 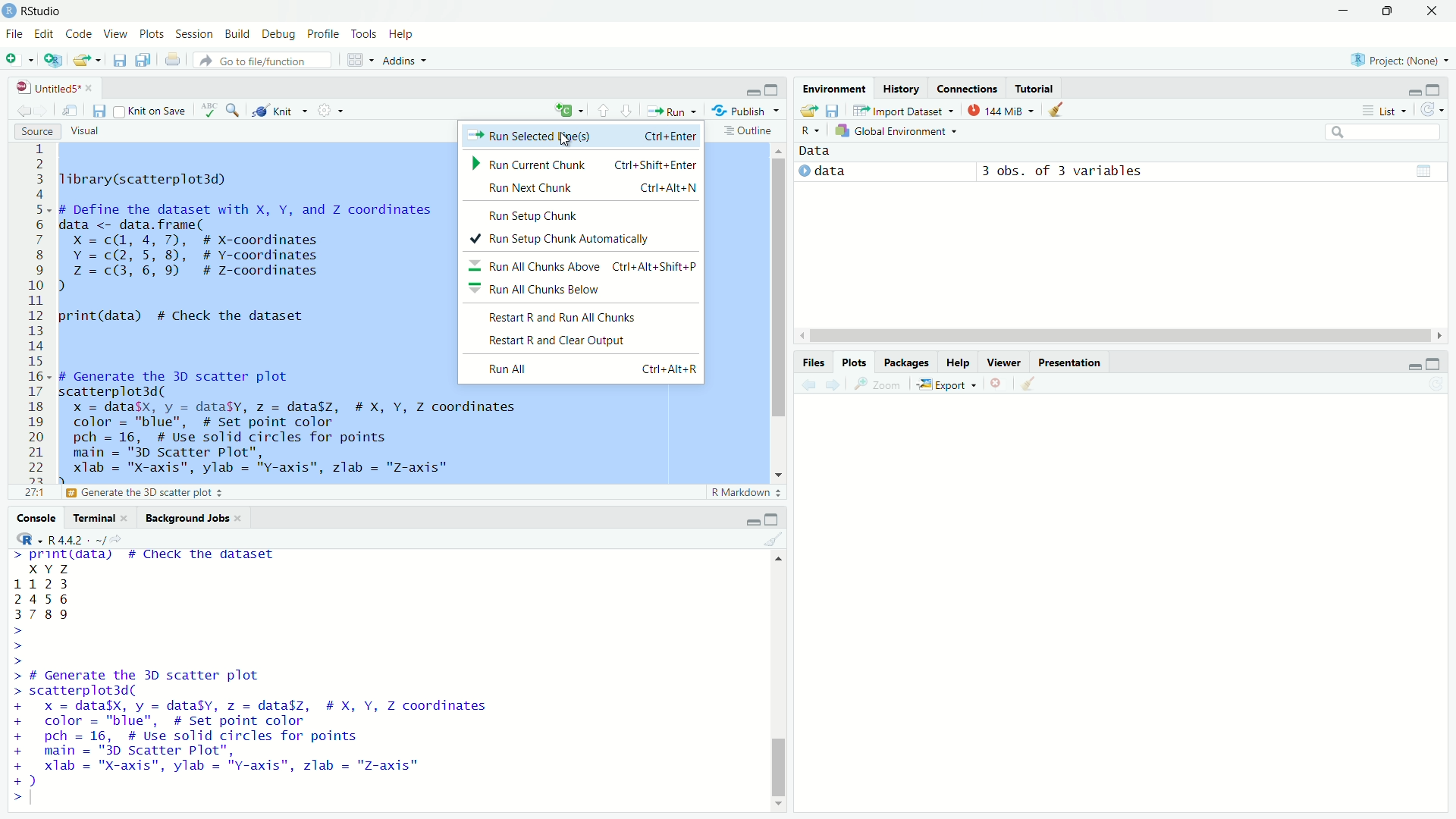 I want to click on scatterplot3d(x = datasx, y = dataSy, z = data$z, # X, Y, Z coordinatescolor = "blue", # Set point colorpch = 16, # Use solid circles for pointsmain = "3D Scatter Plot",xlab = "X-axis", ylab = "Y-axis", zlab = "Z-axis", so click(x=306, y=433).